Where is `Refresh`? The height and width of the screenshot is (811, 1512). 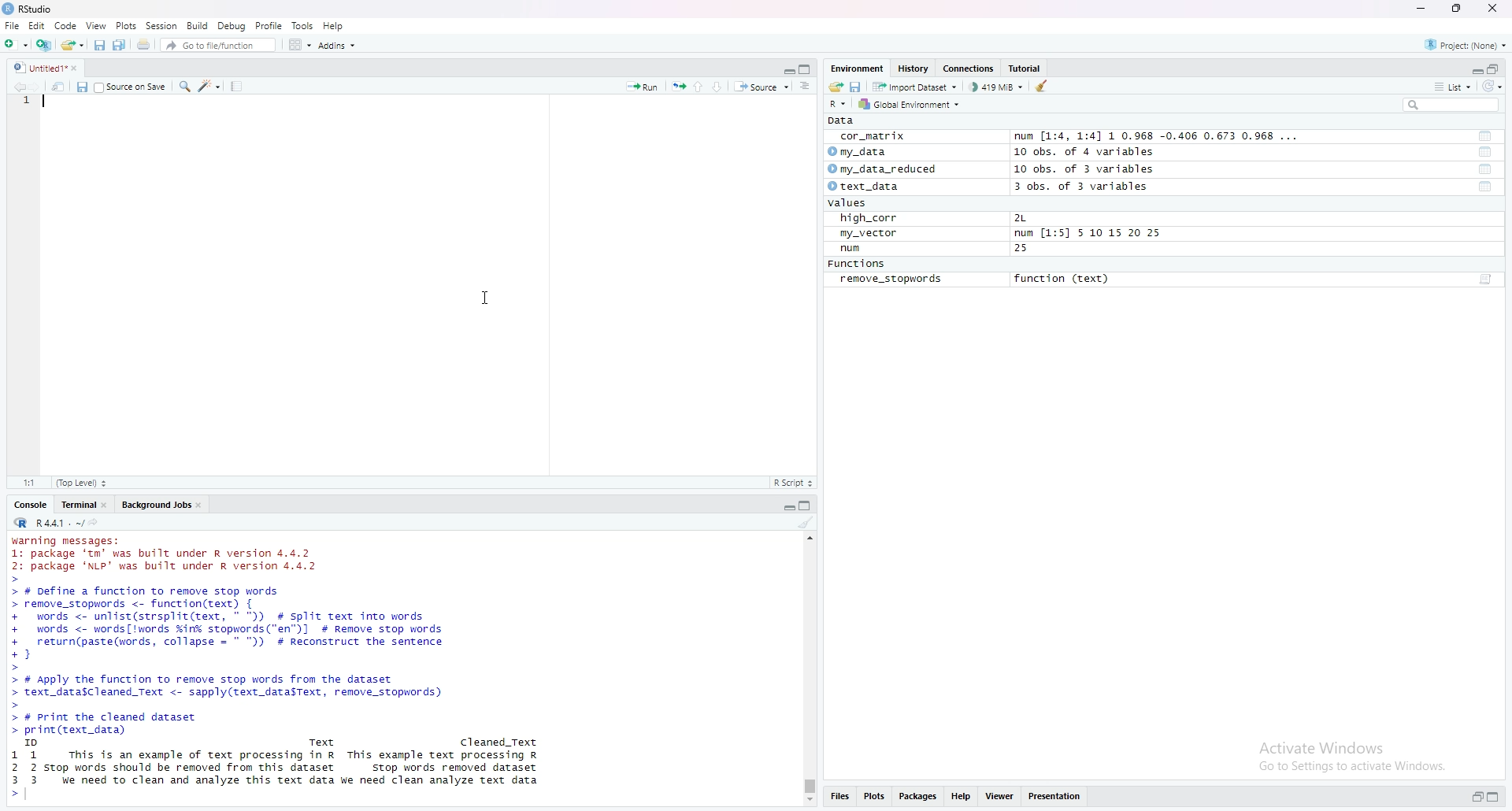
Refresh is located at coordinates (1493, 87).